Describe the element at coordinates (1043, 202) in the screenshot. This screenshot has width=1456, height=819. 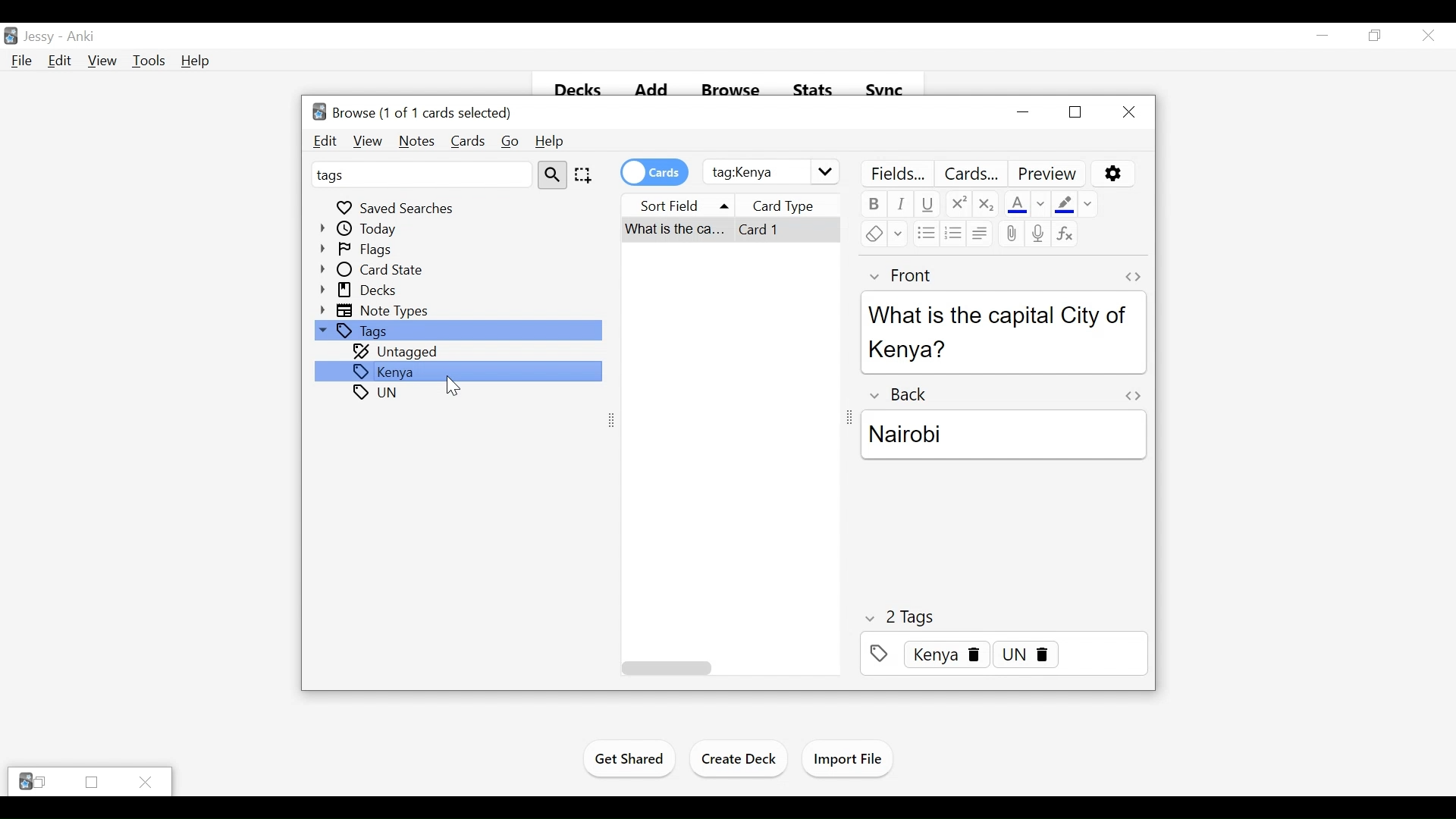
I see `Change Color` at that location.